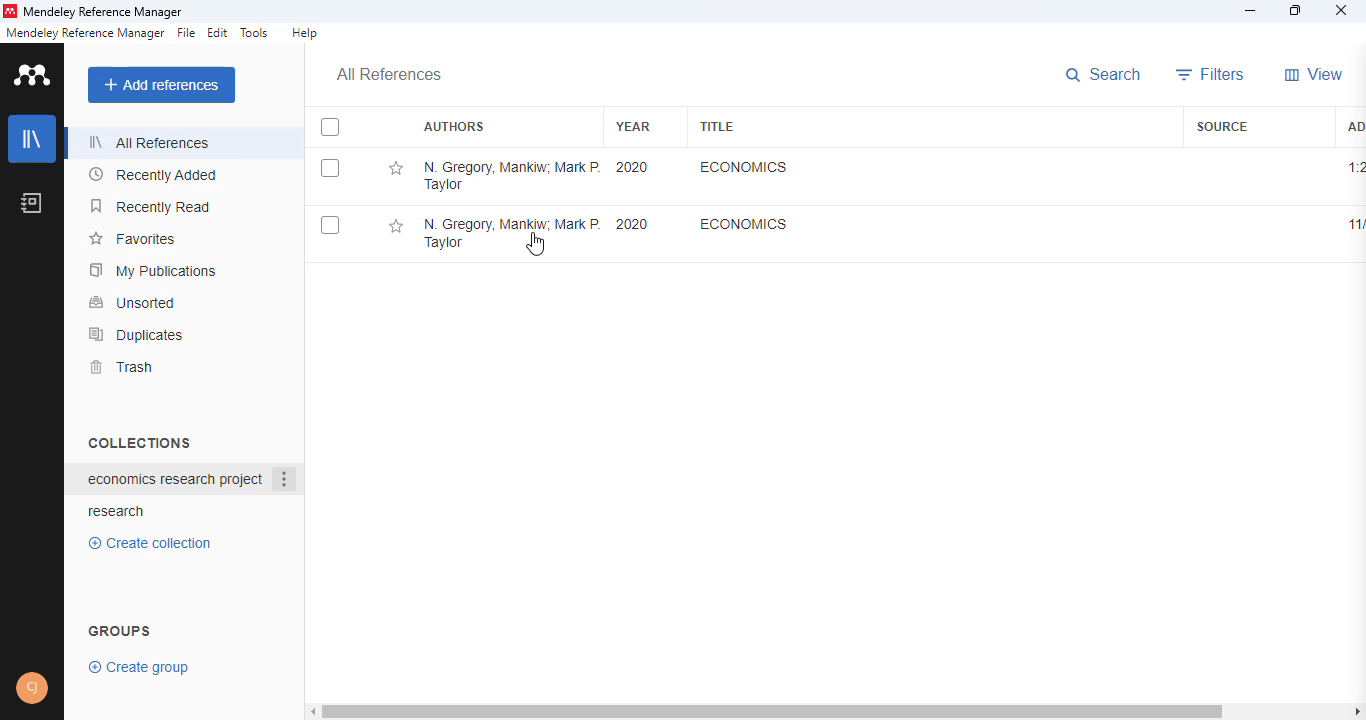 This screenshot has height=720, width=1366. What do you see at coordinates (744, 223) in the screenshot?
I see `Economics` at bounding box center [744, 223].